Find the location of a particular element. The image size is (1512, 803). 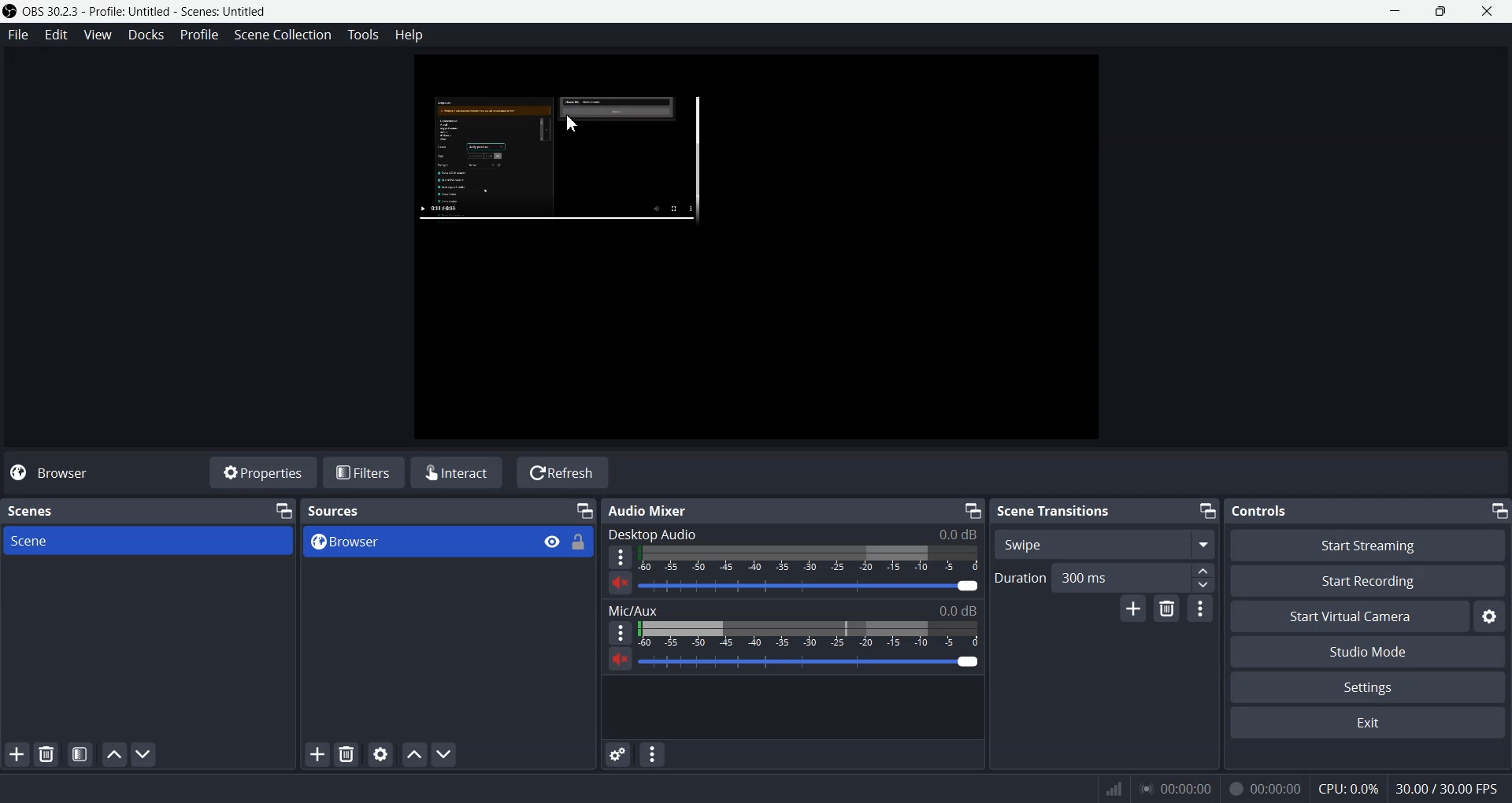

Mute / Unmute is located at coordinates (621, 660).